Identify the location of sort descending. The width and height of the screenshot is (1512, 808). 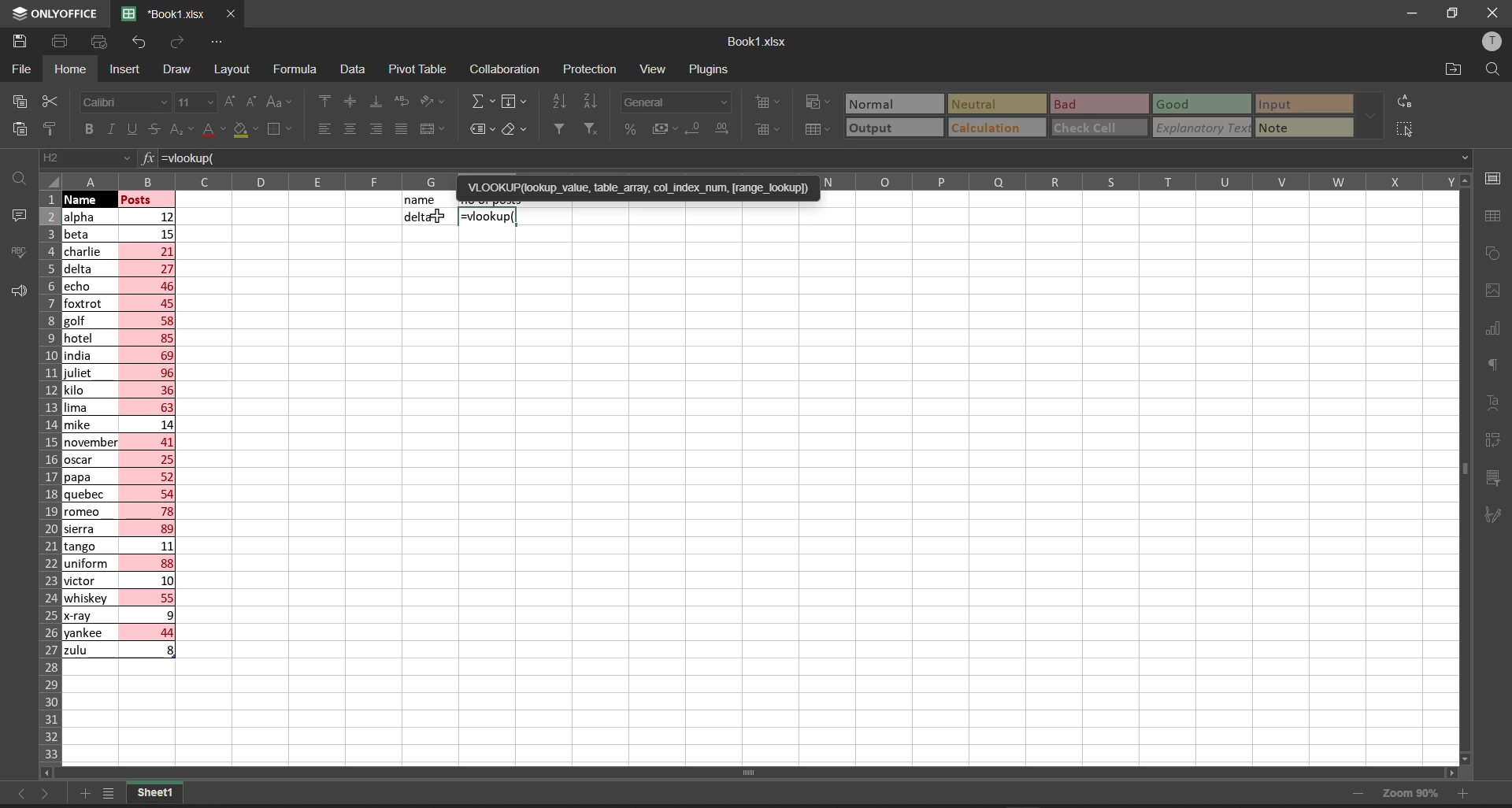
(594, 102).